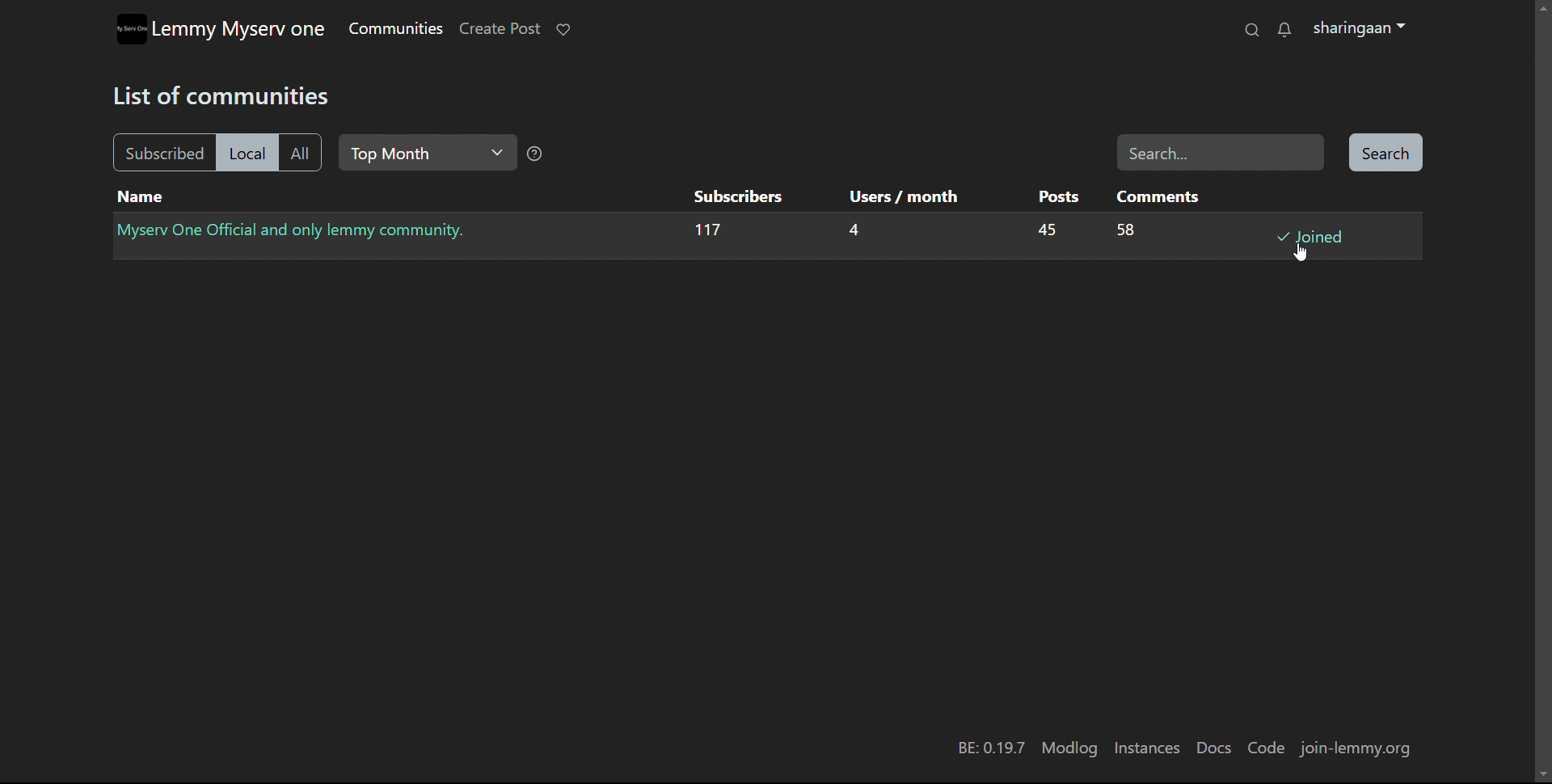 The image size is (1552, 784). Describe the element at coordinates (1069, 748) in the screenshot. I see `modlog` at that location.